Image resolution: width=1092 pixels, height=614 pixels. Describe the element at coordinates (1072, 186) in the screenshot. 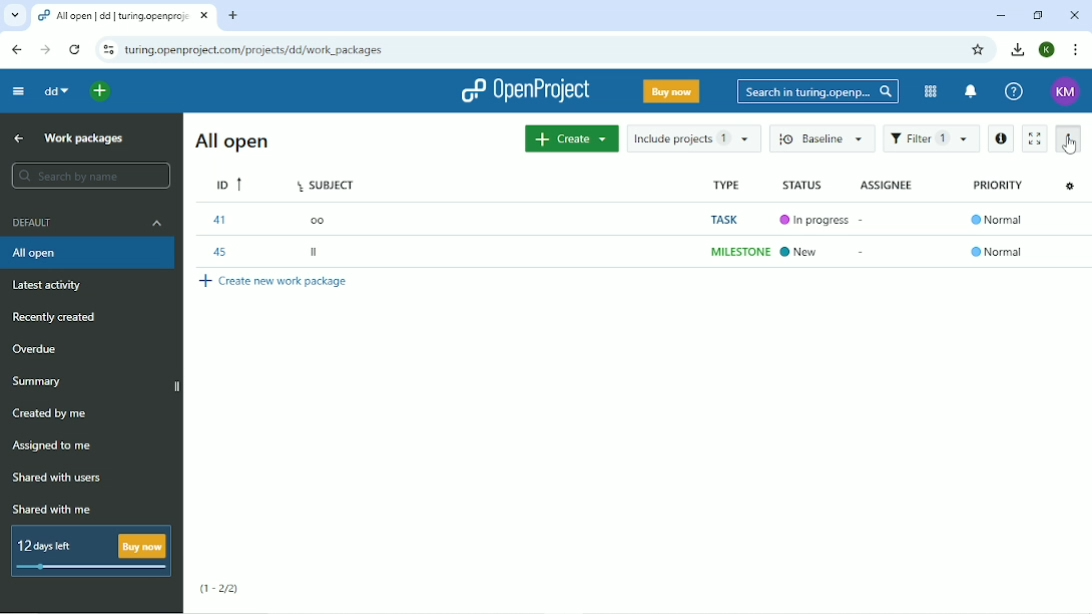

I see `Configure view` at that location.